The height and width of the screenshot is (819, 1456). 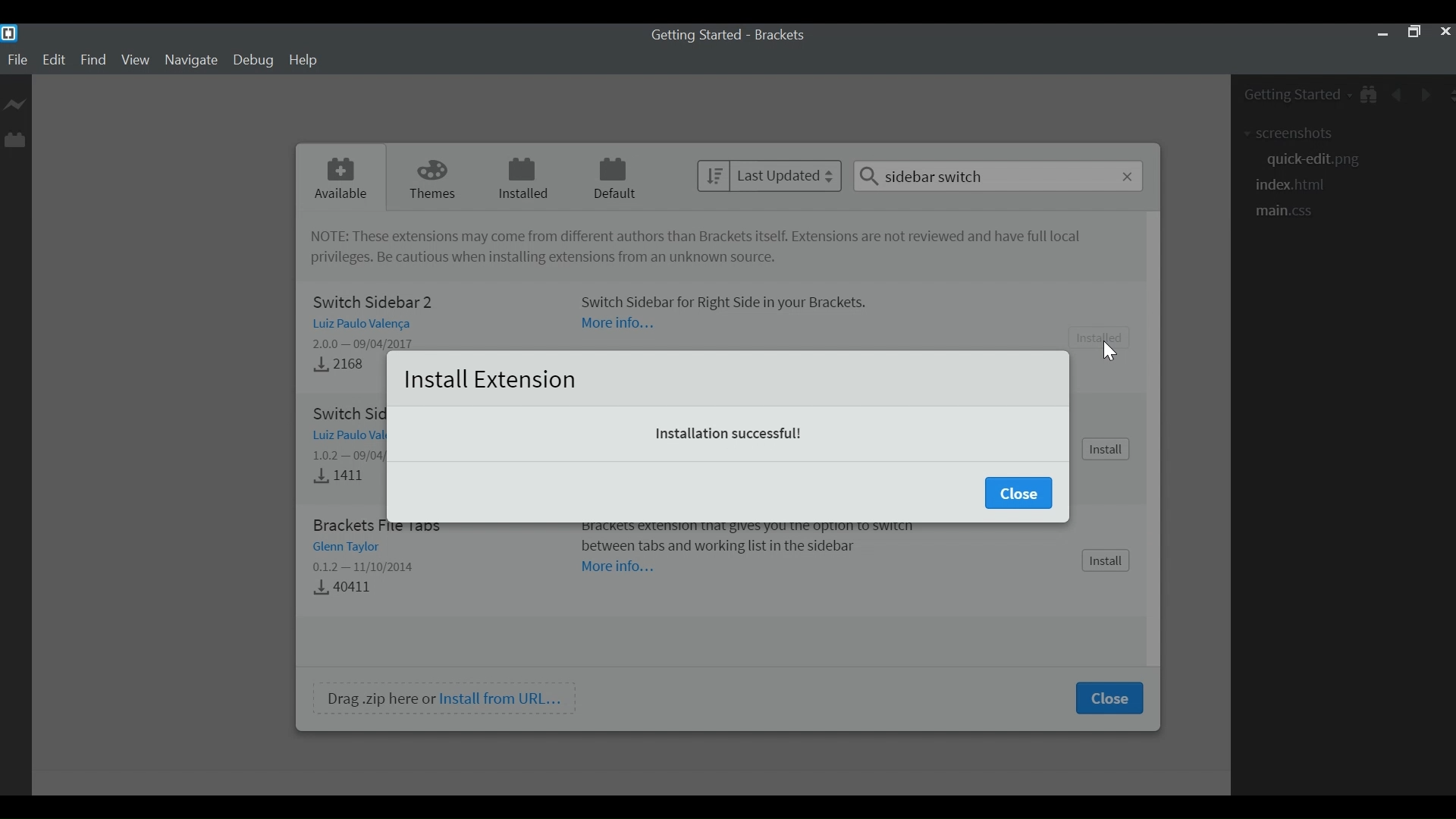 What do you see at coordinates (1293, 213) in the screenshot?
I see `main.css` at bounding box center [1293, 213].